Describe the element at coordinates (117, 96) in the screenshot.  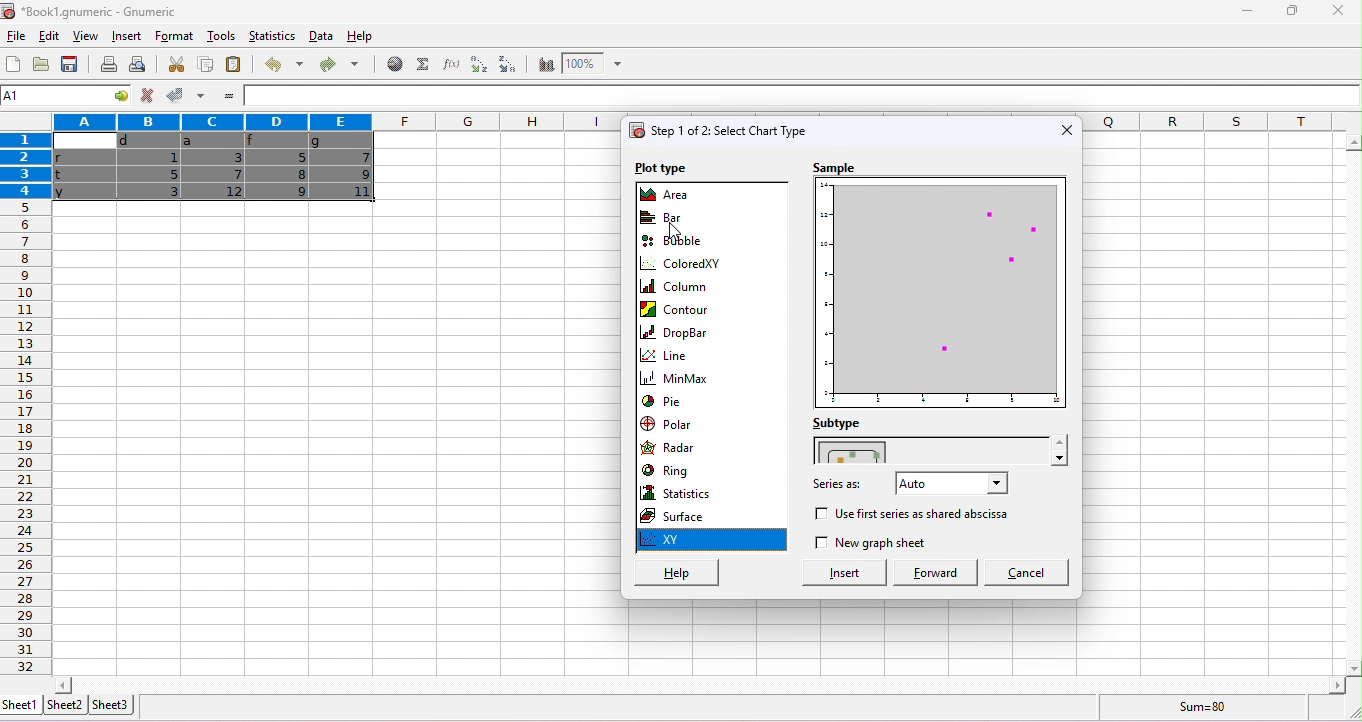
I see `cell options` at that location.